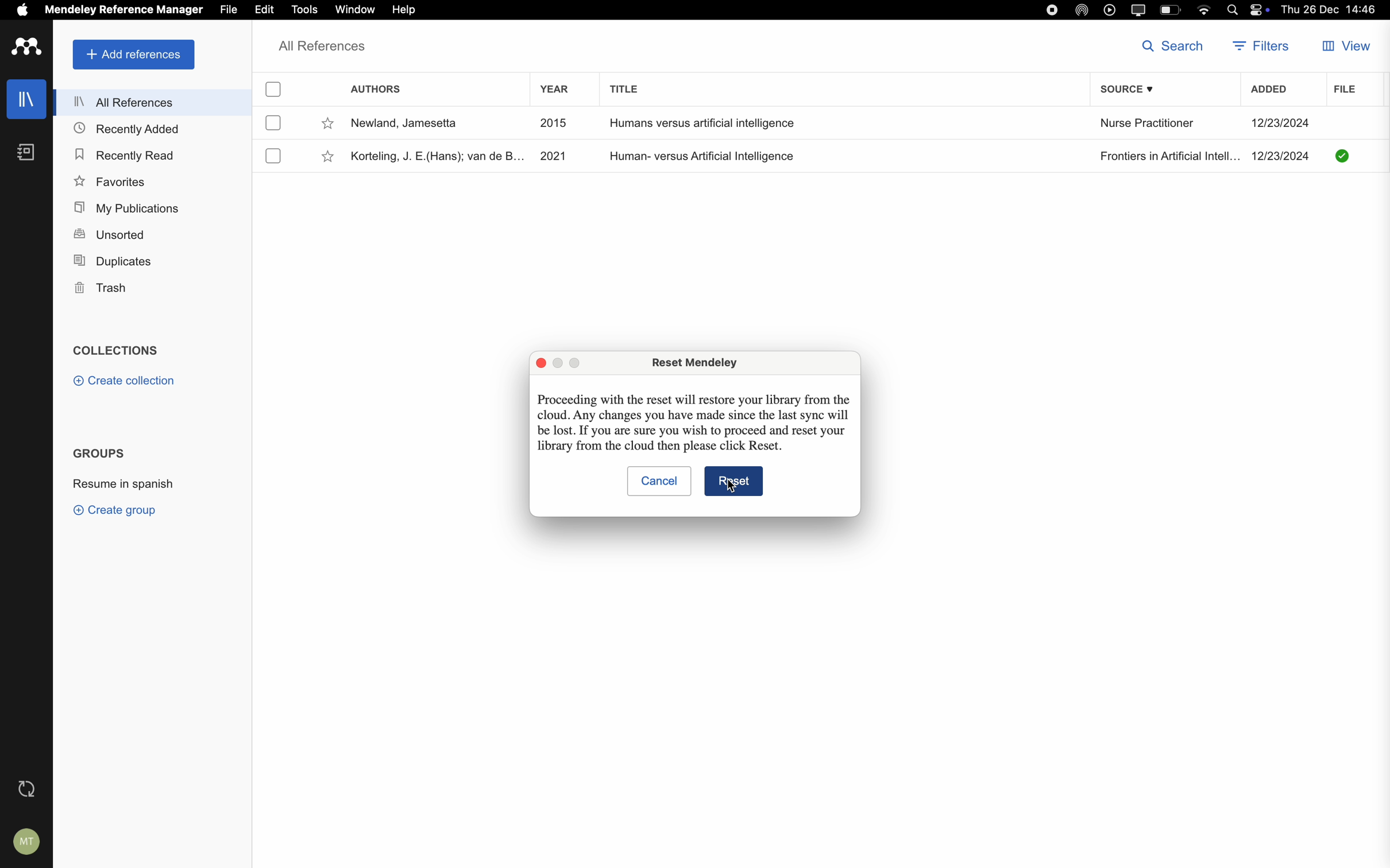 The width and height of the screenshot is (1390, 868). Describe the element at coordinates (373, 88) in the screenshot. I see `authors` at that location.